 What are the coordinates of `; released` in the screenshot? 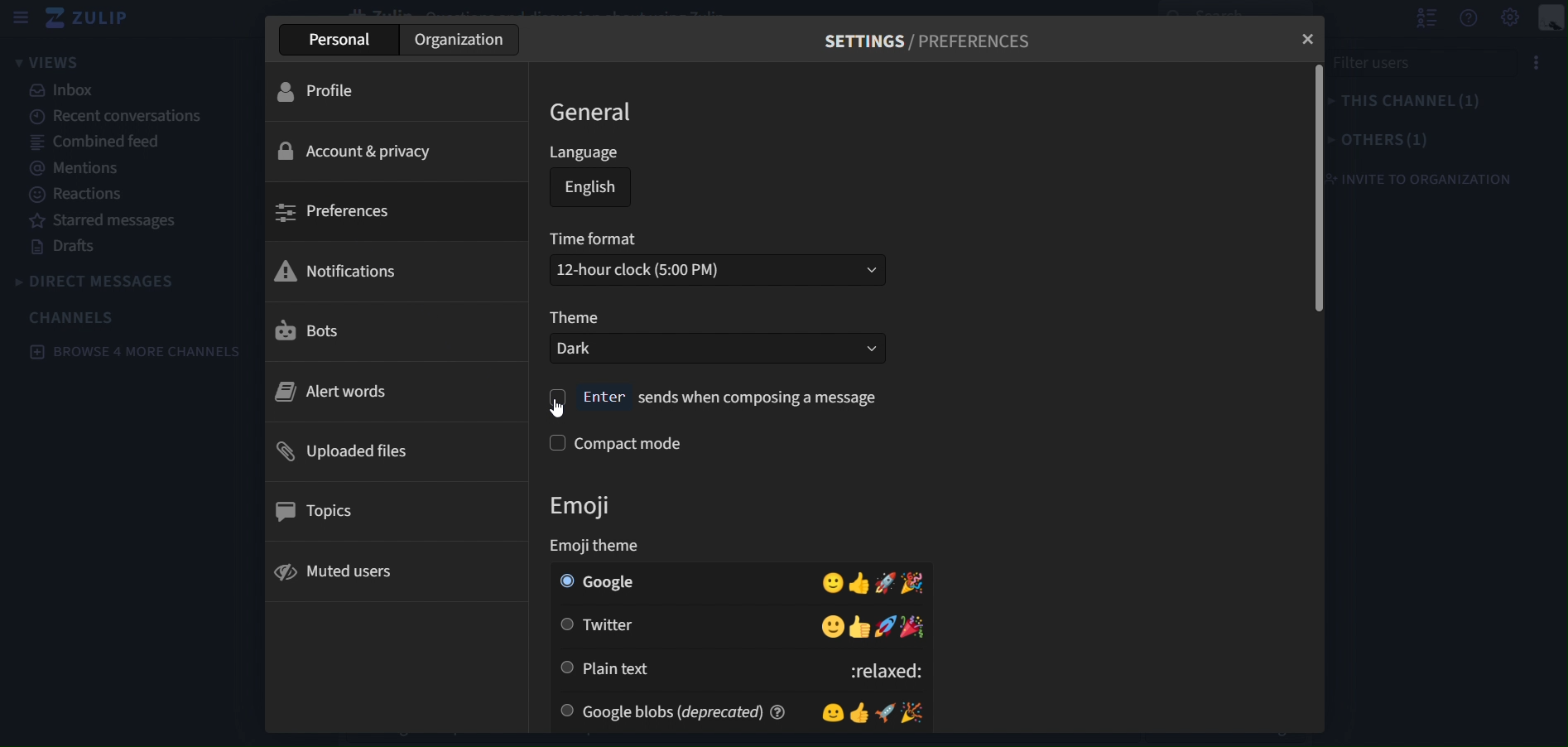 It's located at (880, 667).